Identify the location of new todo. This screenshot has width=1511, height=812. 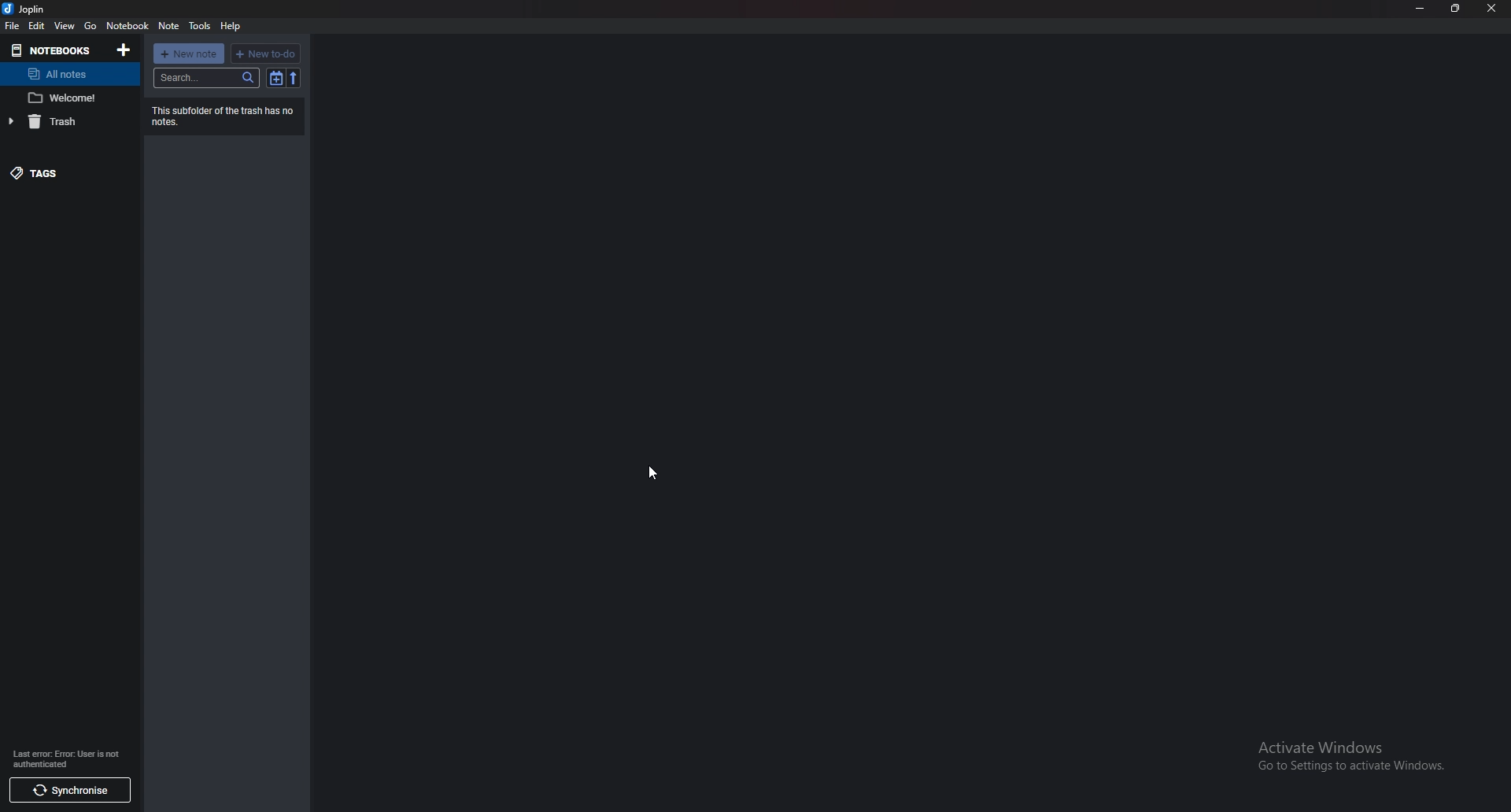
(264, 54).